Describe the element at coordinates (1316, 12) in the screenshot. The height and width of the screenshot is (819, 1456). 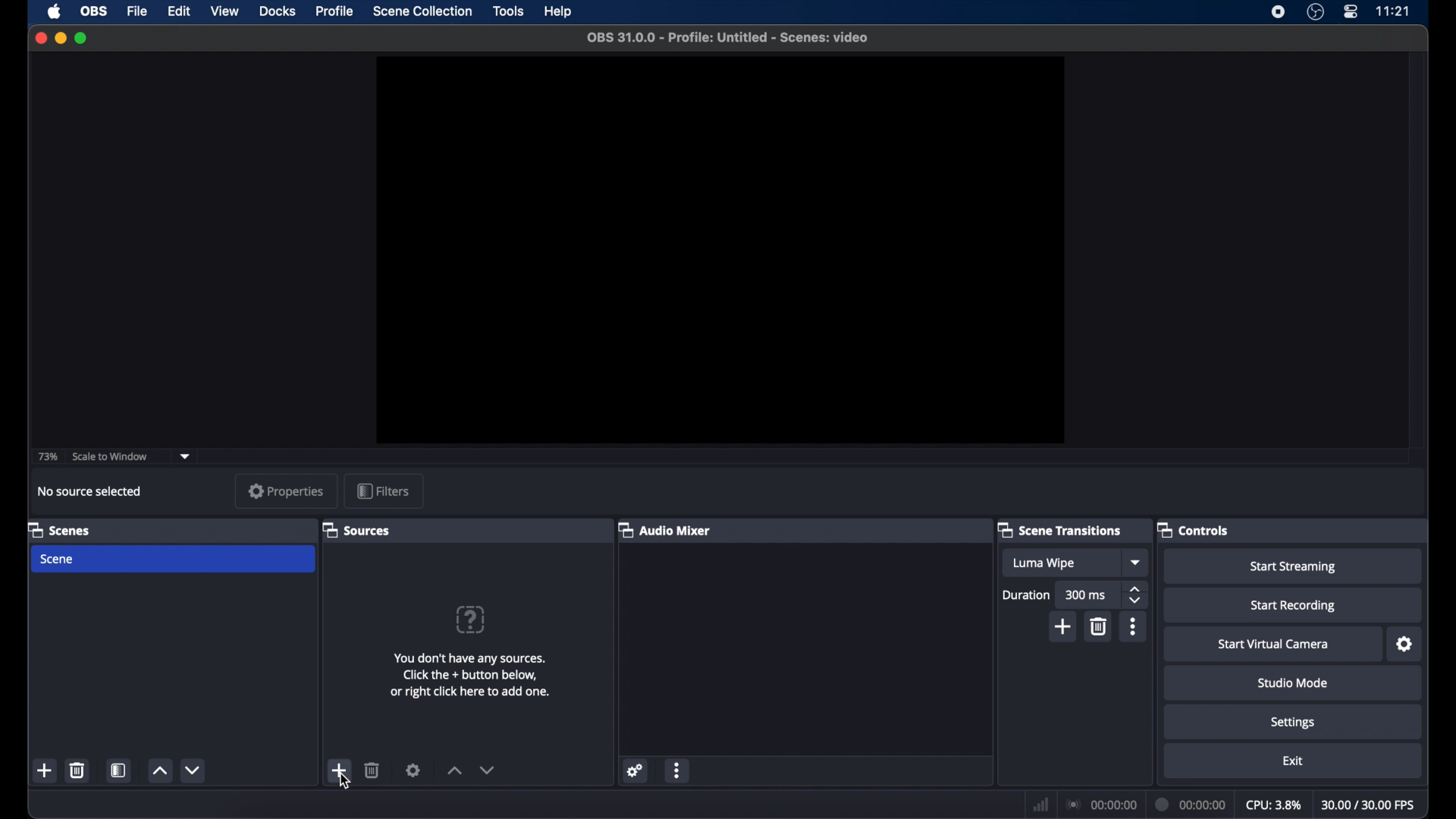
I see `obs studio` at that location.